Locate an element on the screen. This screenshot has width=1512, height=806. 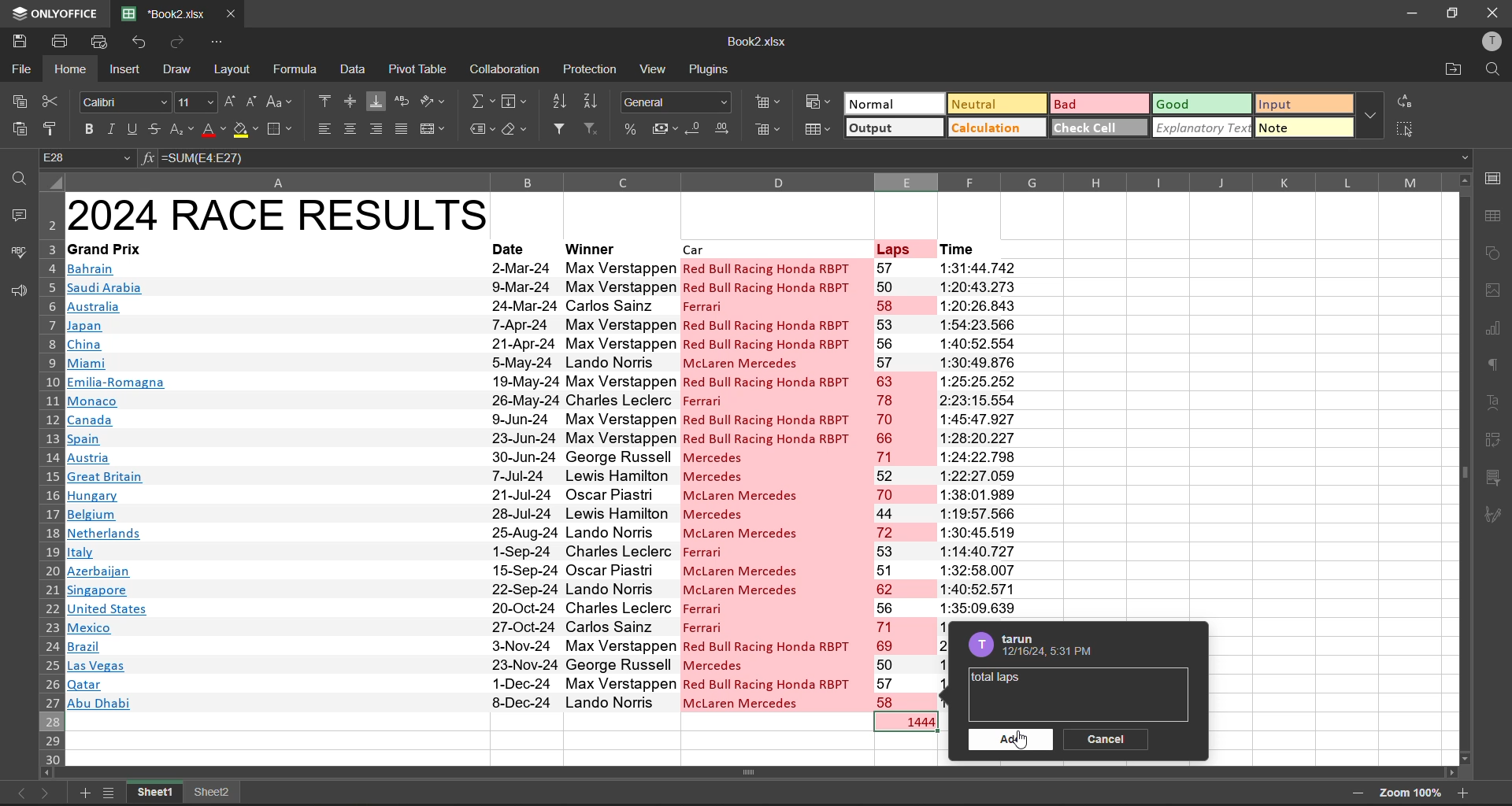
number format is located at coordinates (675, 104).